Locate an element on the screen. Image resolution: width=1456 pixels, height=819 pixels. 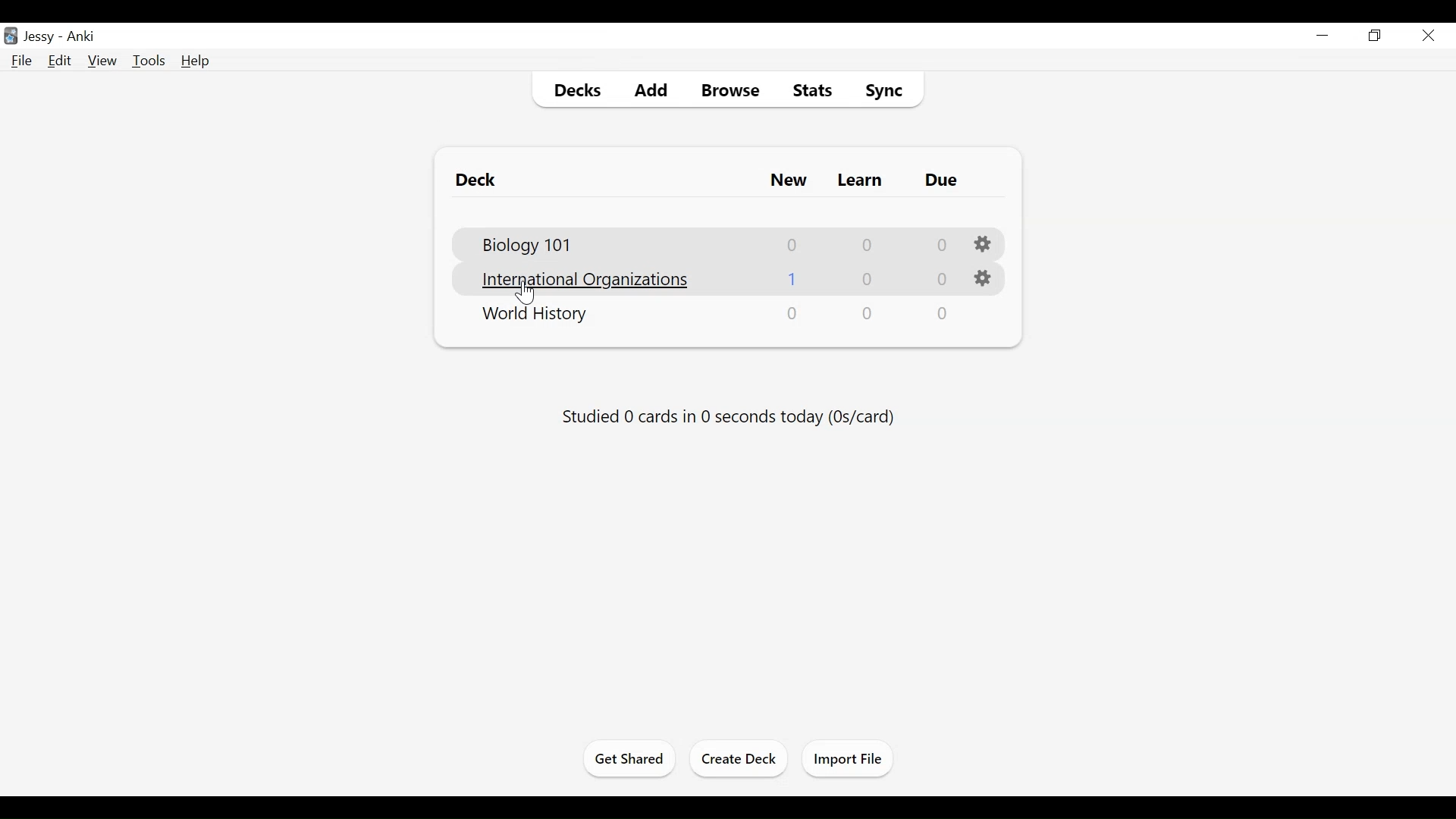
Tools is located at coordinates (149, 61).